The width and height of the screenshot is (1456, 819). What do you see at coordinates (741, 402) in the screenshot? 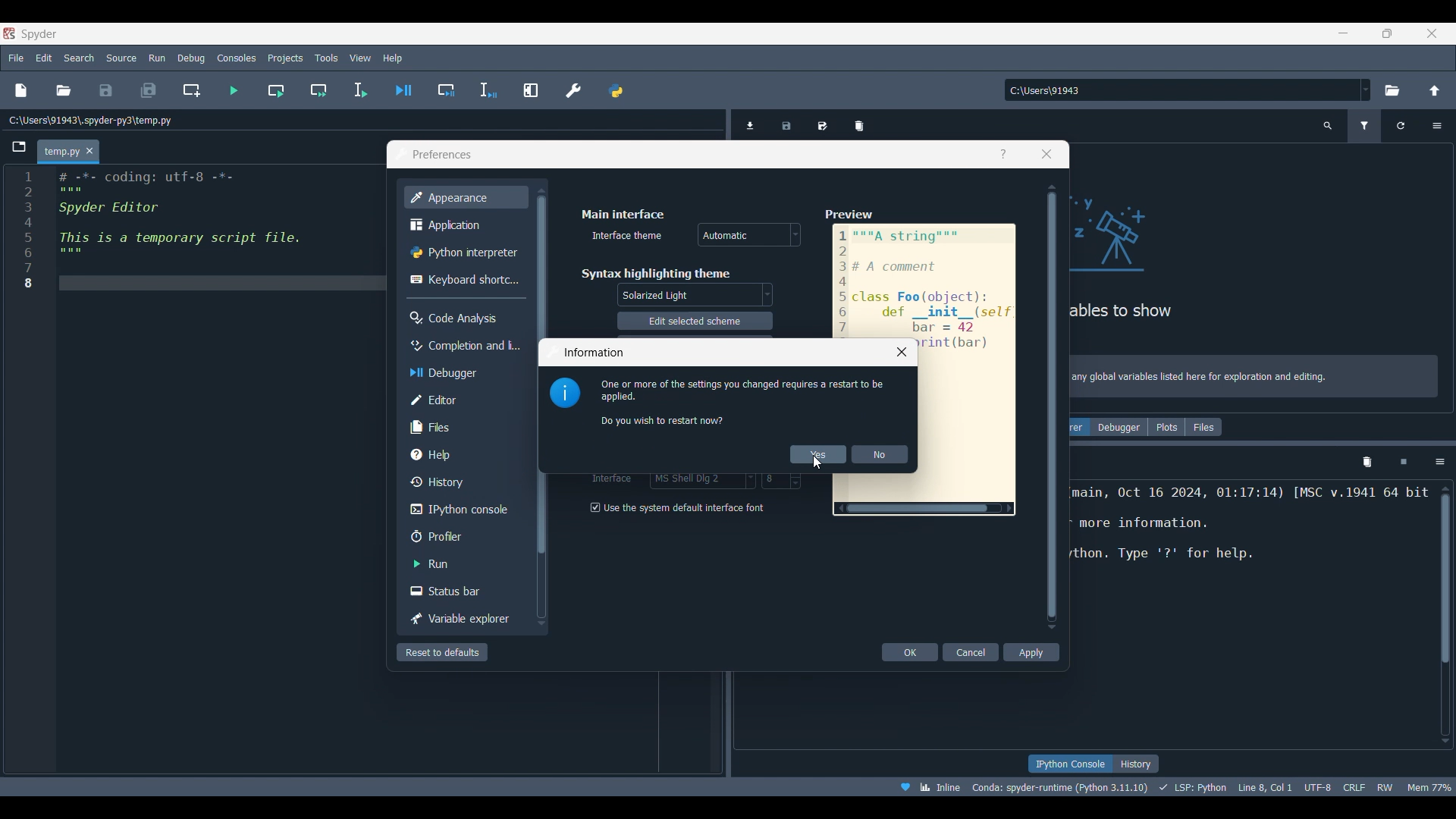
I see `information before applying` at bounding box center [741, 402].